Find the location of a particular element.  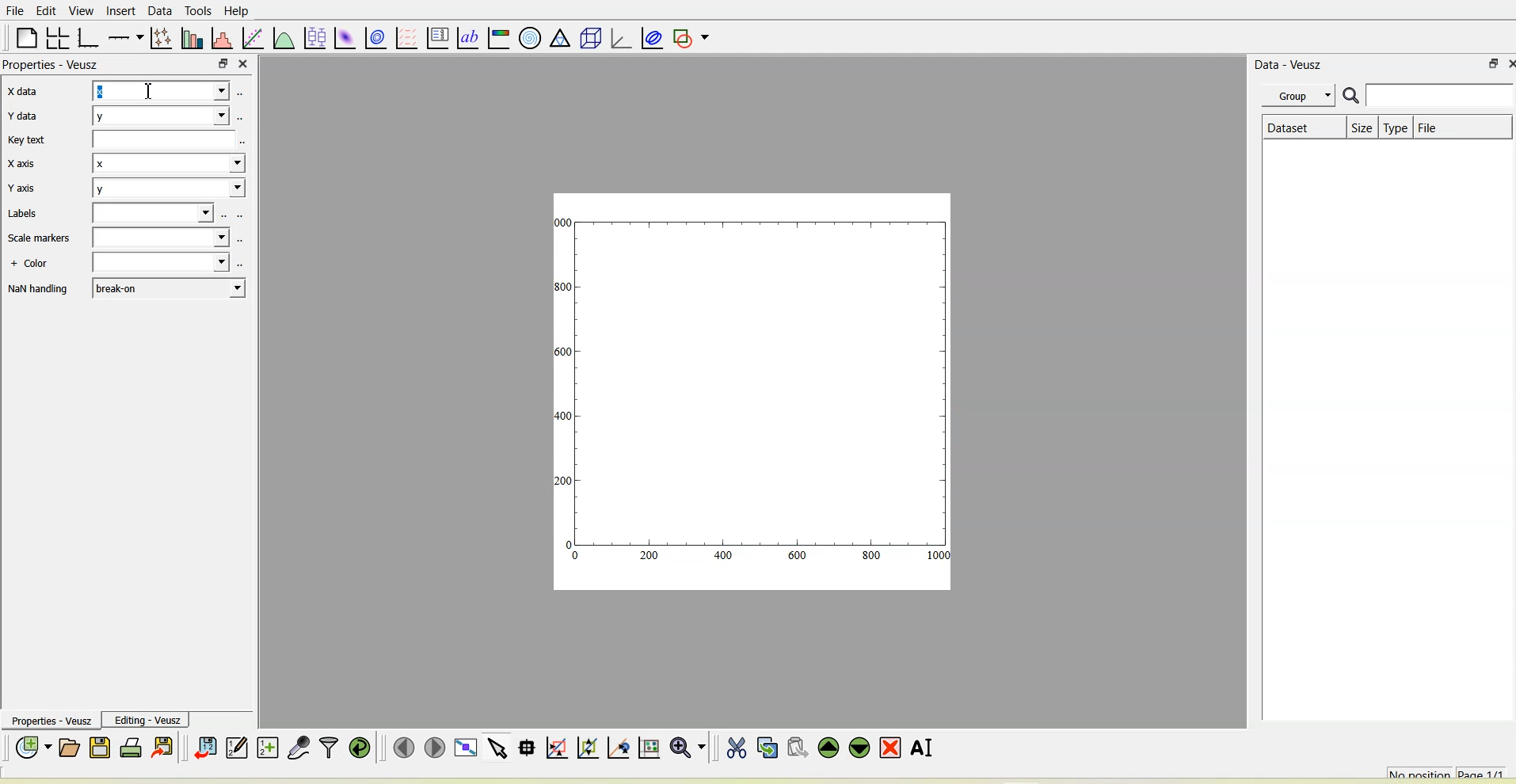

select using dataset browser is located at coordinates (240, 238).